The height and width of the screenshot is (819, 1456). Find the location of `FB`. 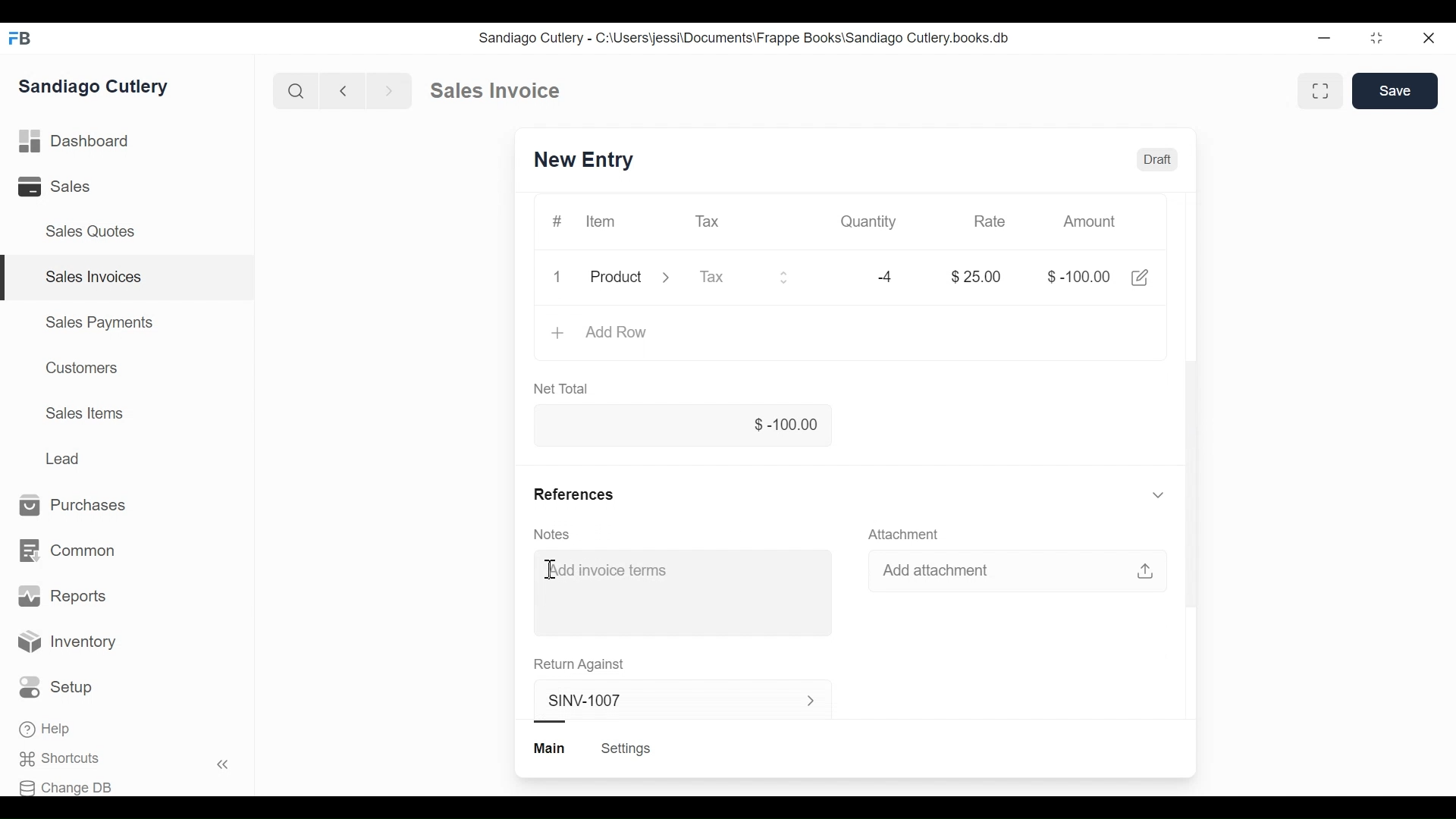

FB is located at coordinates (23, 39).